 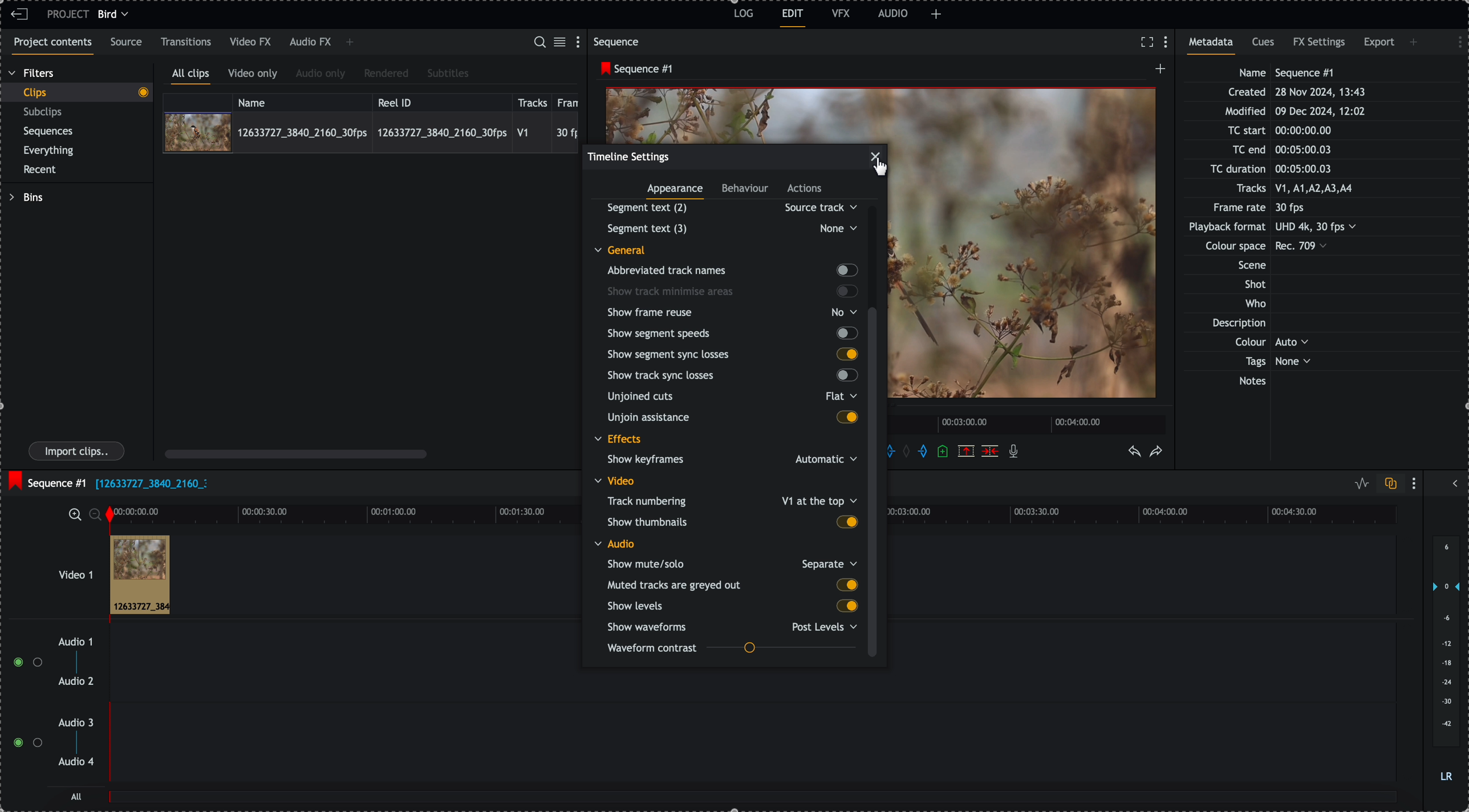 I want to click on actions, so click(x=805, y=189).